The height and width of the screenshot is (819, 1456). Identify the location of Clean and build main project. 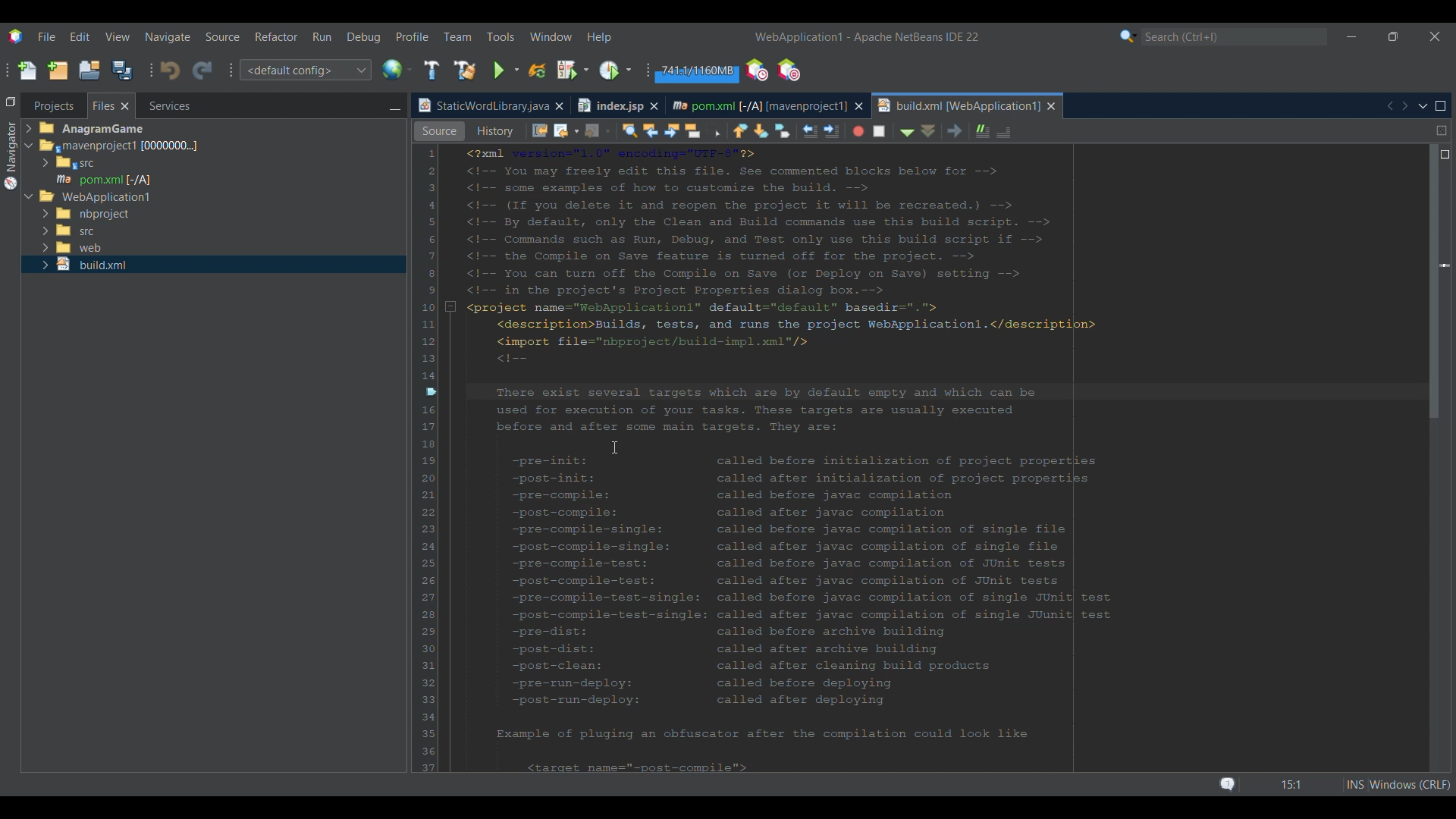
(465, 71).